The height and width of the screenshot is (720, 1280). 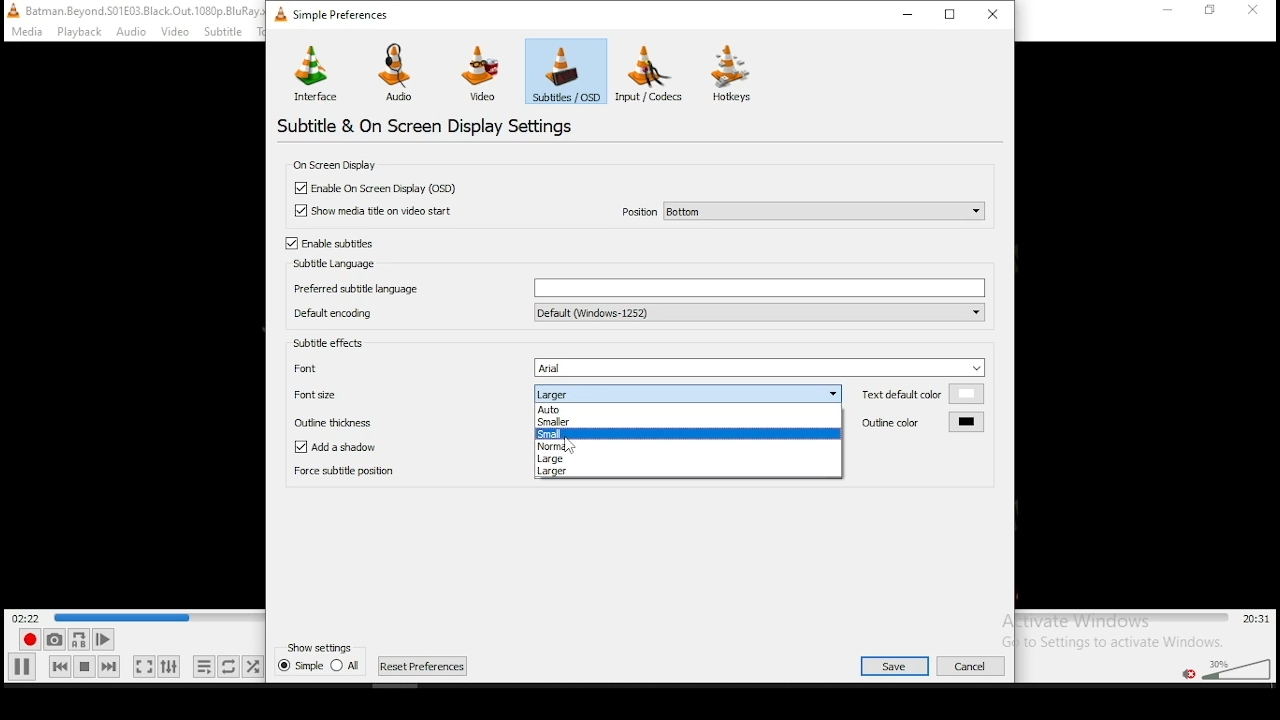 I want to click on input/codecs, so click(x=654, y=73).